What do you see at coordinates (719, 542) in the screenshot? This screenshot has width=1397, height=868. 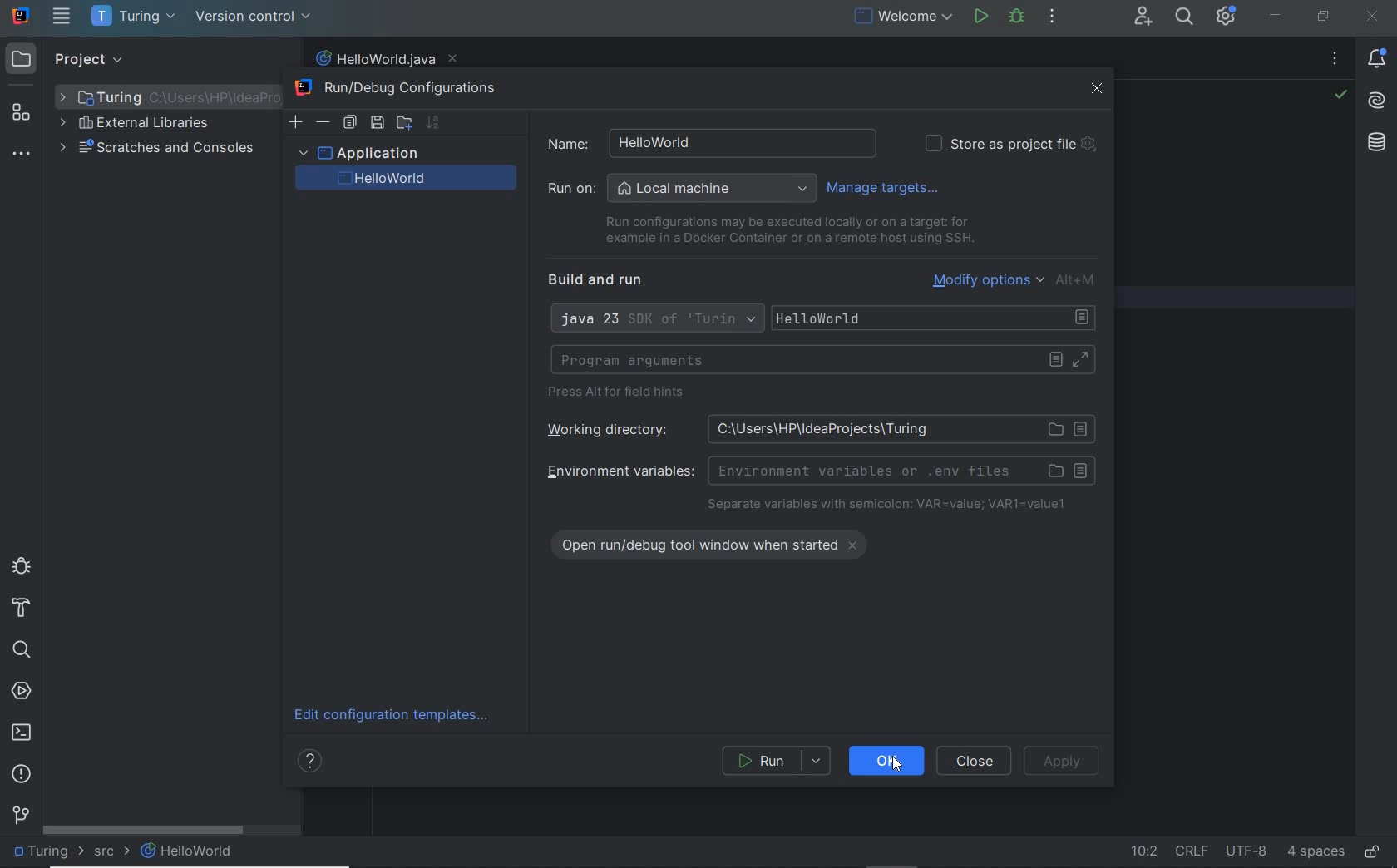 I see `open run/debug tool window when started` at bounding box center [719, 542].